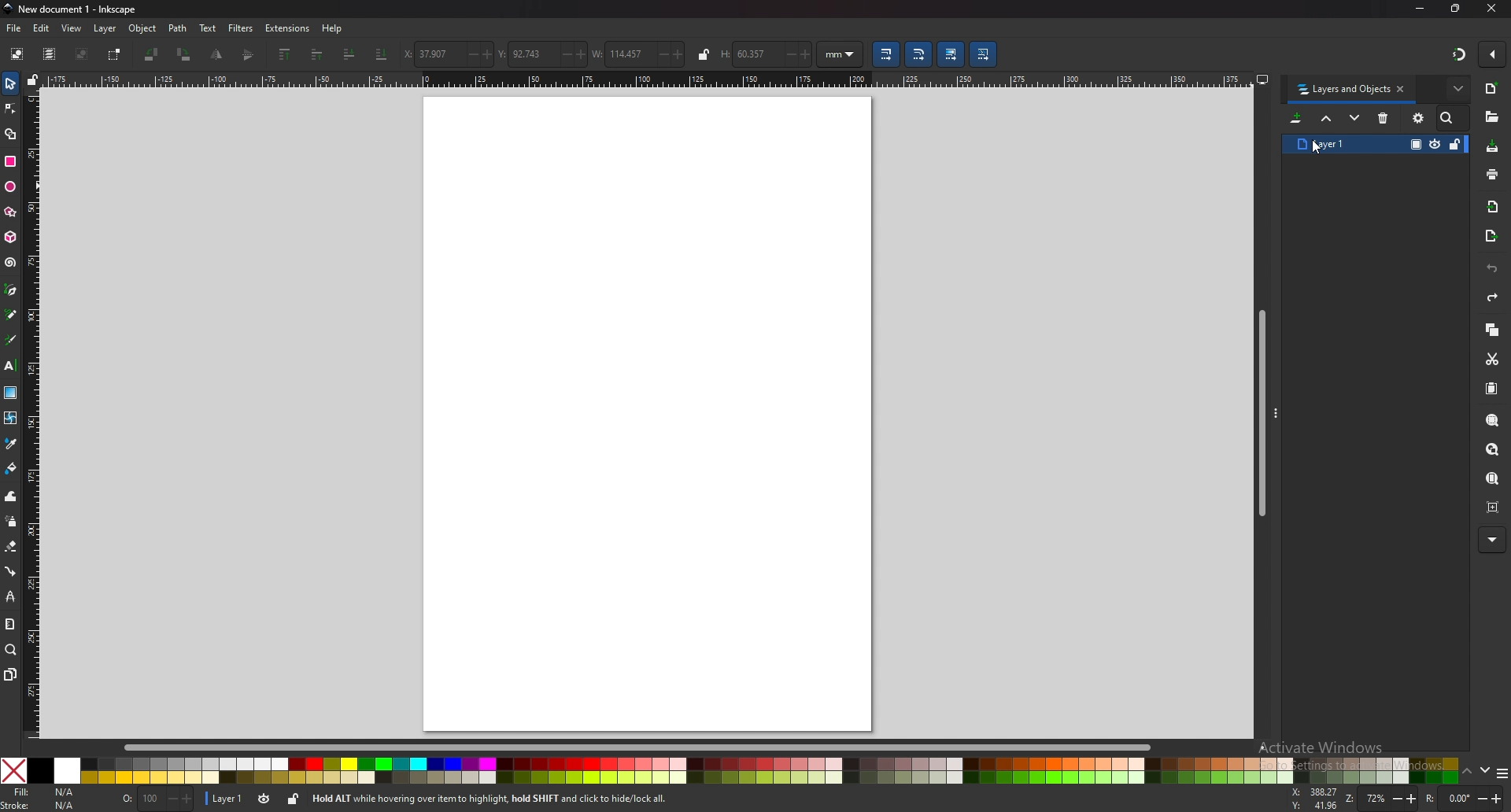 This screenshot has height=812, width=1511. What do you see at coordinates (1491, 478) in the screenshot?
I see `zoom page` at bounding box center [1491, 478].